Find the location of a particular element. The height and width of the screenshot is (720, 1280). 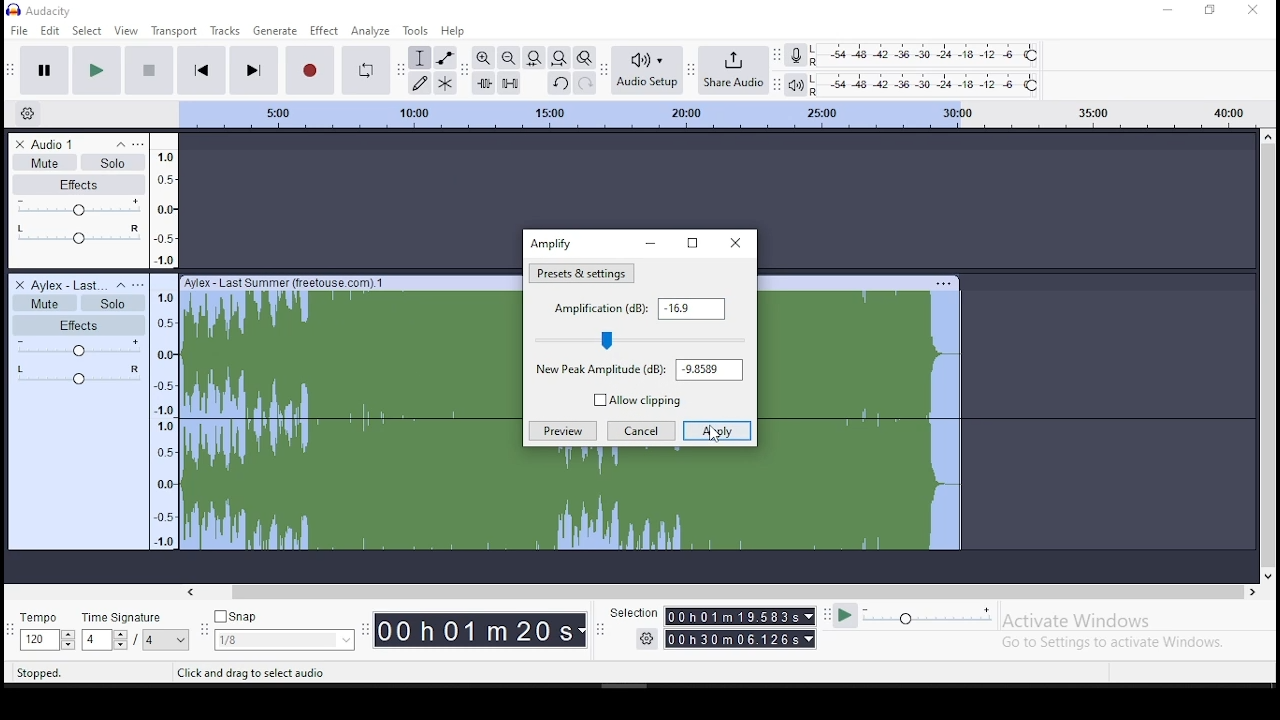

collapse is located at coordinates (120, 142).